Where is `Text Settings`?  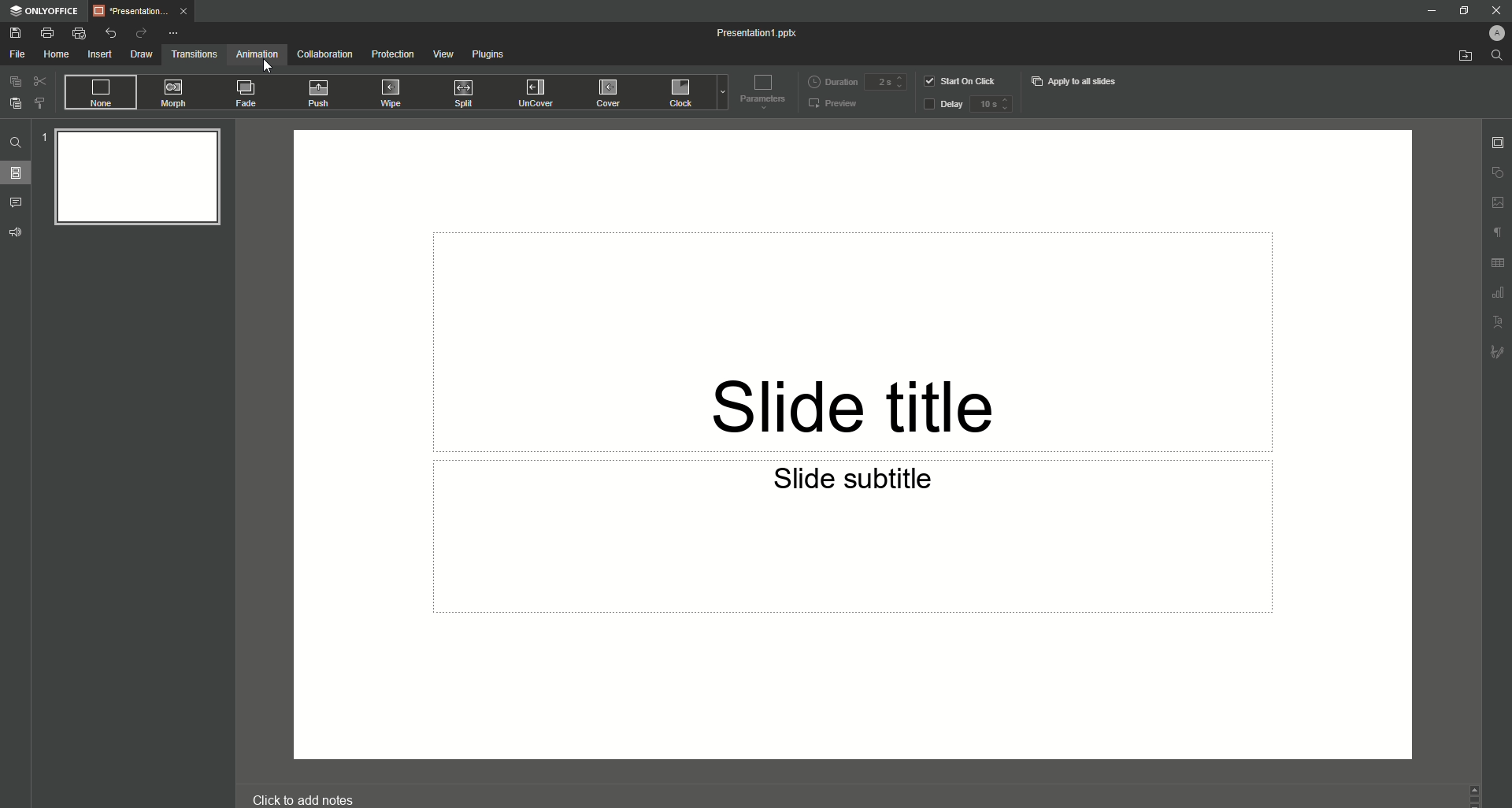 Text Settings is located at coordinates (1498, 321).